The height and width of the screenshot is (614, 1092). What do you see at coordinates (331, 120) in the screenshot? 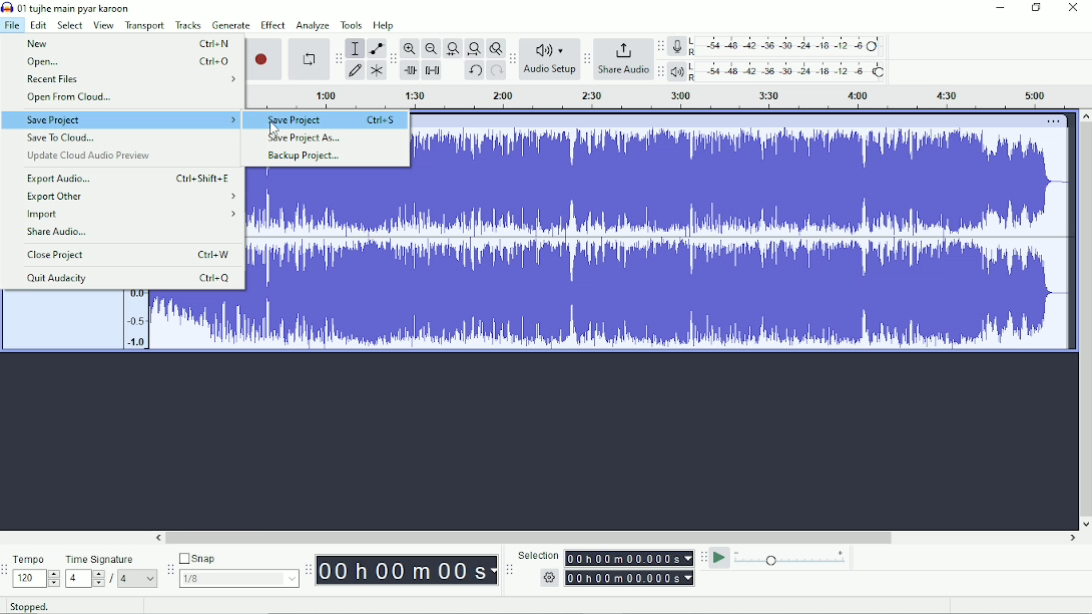
I see `Save Project` at bounding box center [331, 120].